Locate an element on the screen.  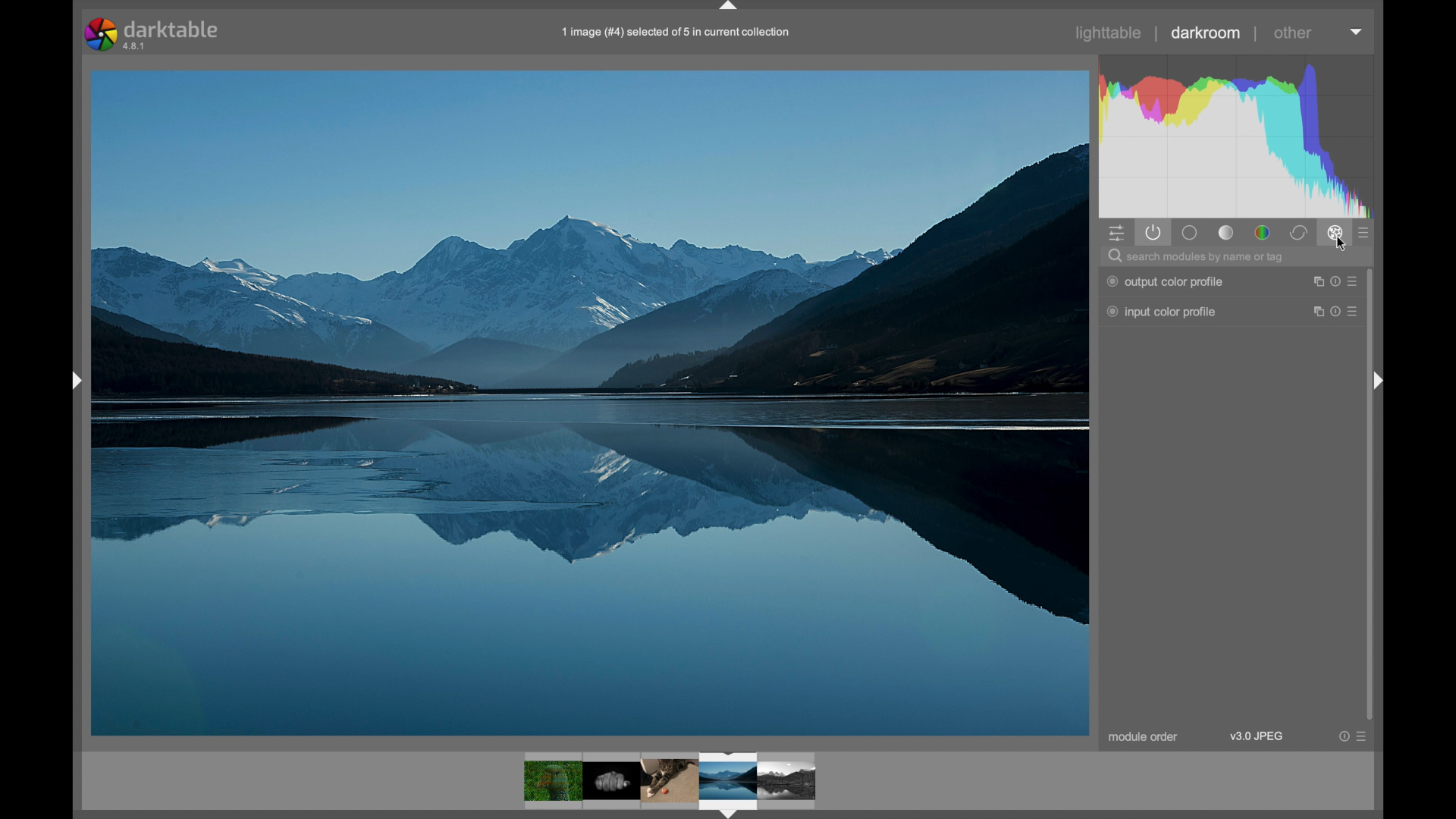
search module by name or tag is located at coordinates (1196, 256).